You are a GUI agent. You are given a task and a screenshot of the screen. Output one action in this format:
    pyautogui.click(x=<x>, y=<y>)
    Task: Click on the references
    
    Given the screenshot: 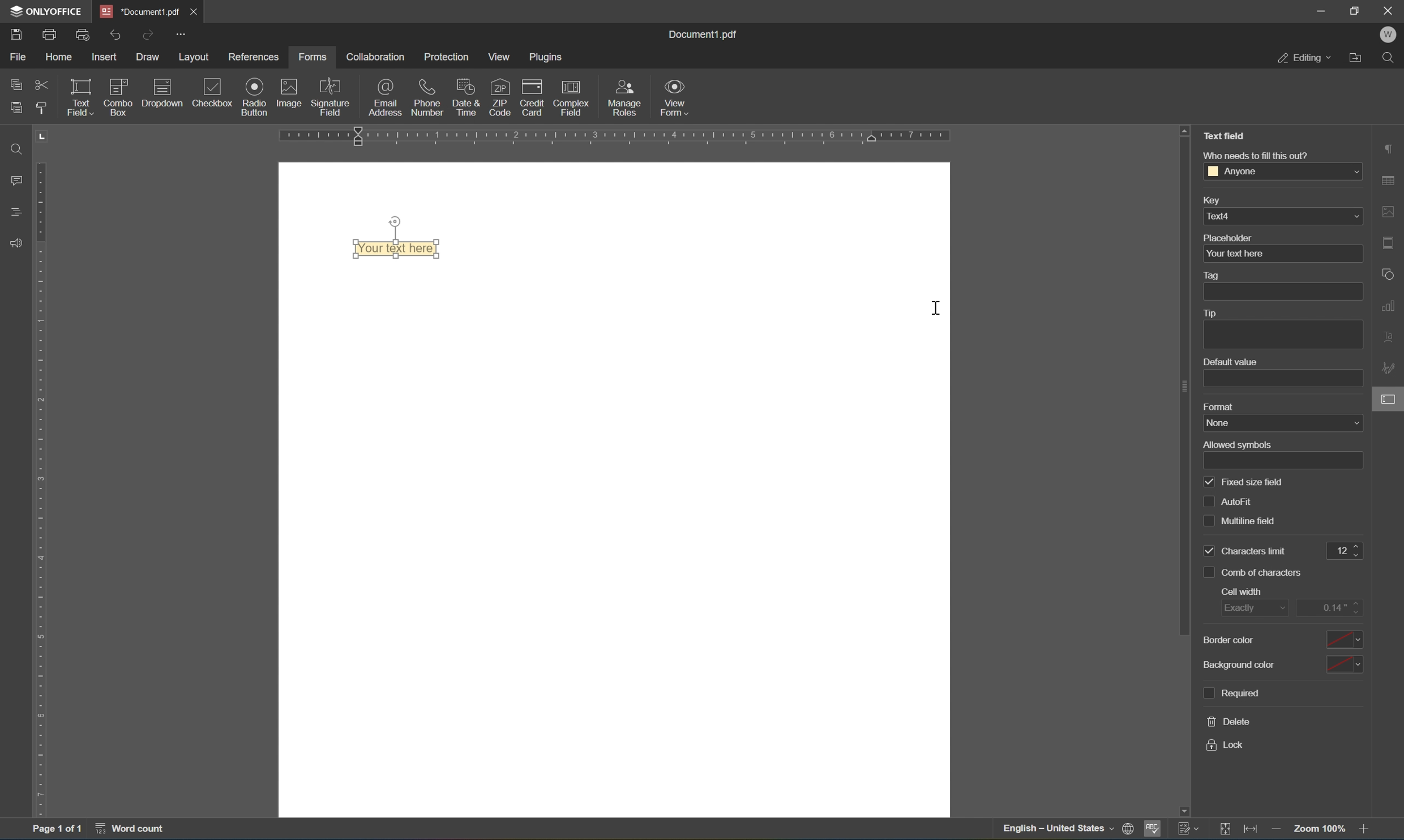 What is the action you would take?
    pyautogui.click(x=254, y=57)
    